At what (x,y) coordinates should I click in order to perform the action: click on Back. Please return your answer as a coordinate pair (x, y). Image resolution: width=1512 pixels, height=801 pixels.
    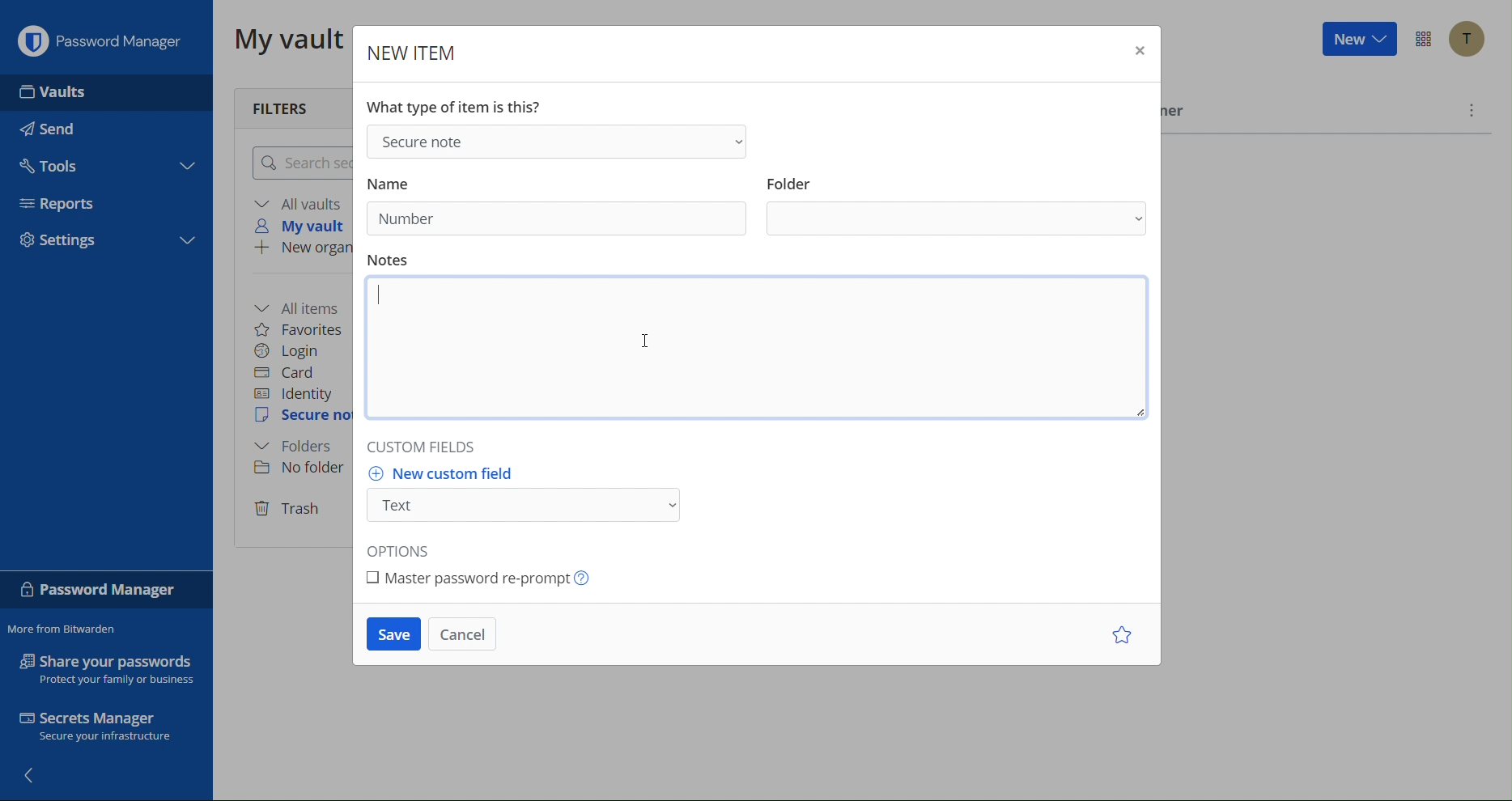
    Looking at the image, I should click on (35, 778).